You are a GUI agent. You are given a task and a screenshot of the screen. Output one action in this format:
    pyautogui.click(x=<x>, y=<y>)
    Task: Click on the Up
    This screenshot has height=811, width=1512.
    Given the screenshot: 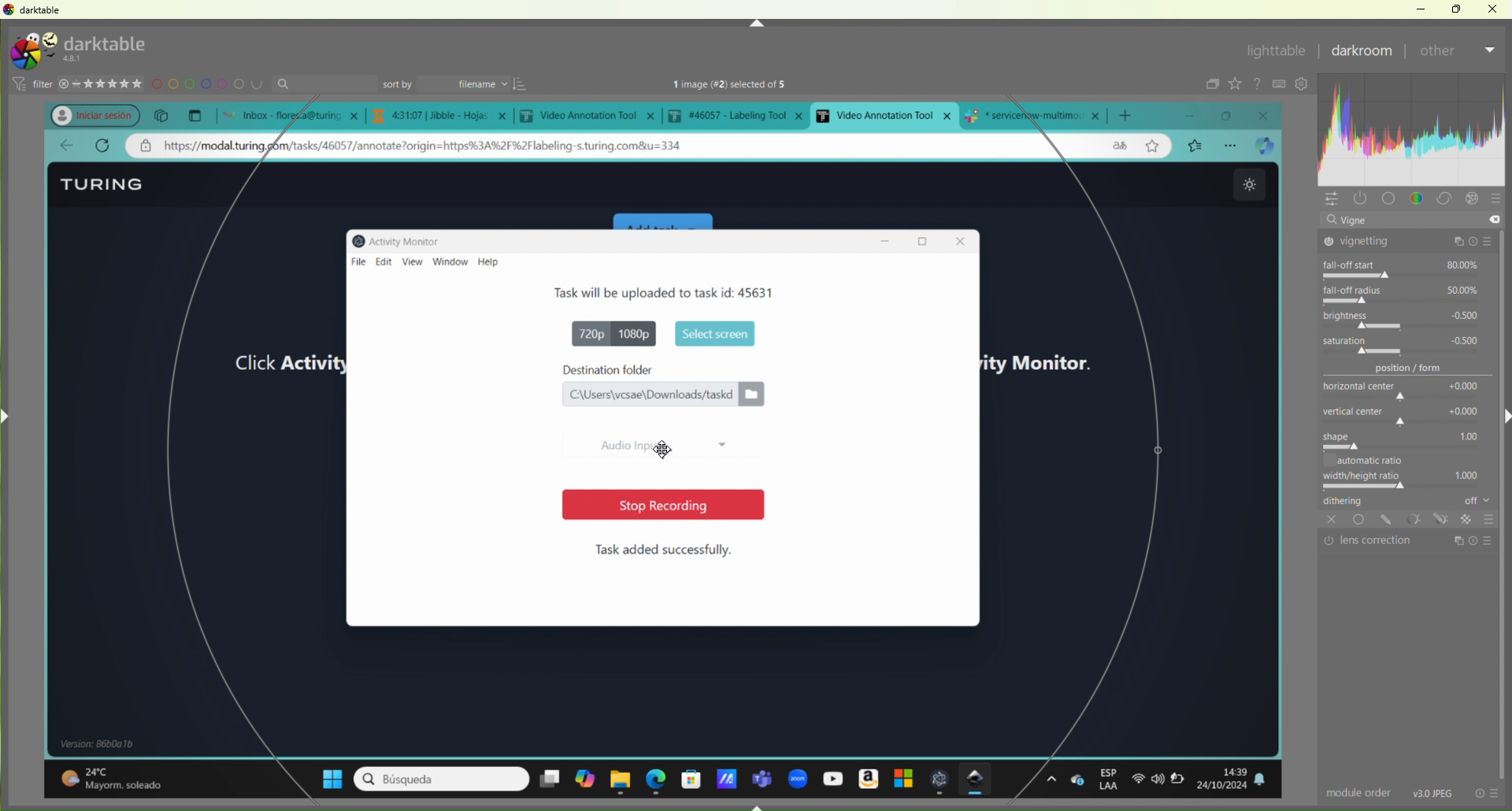 What is the action you would take?
    pyautogui.click(x=756, y=23)
    